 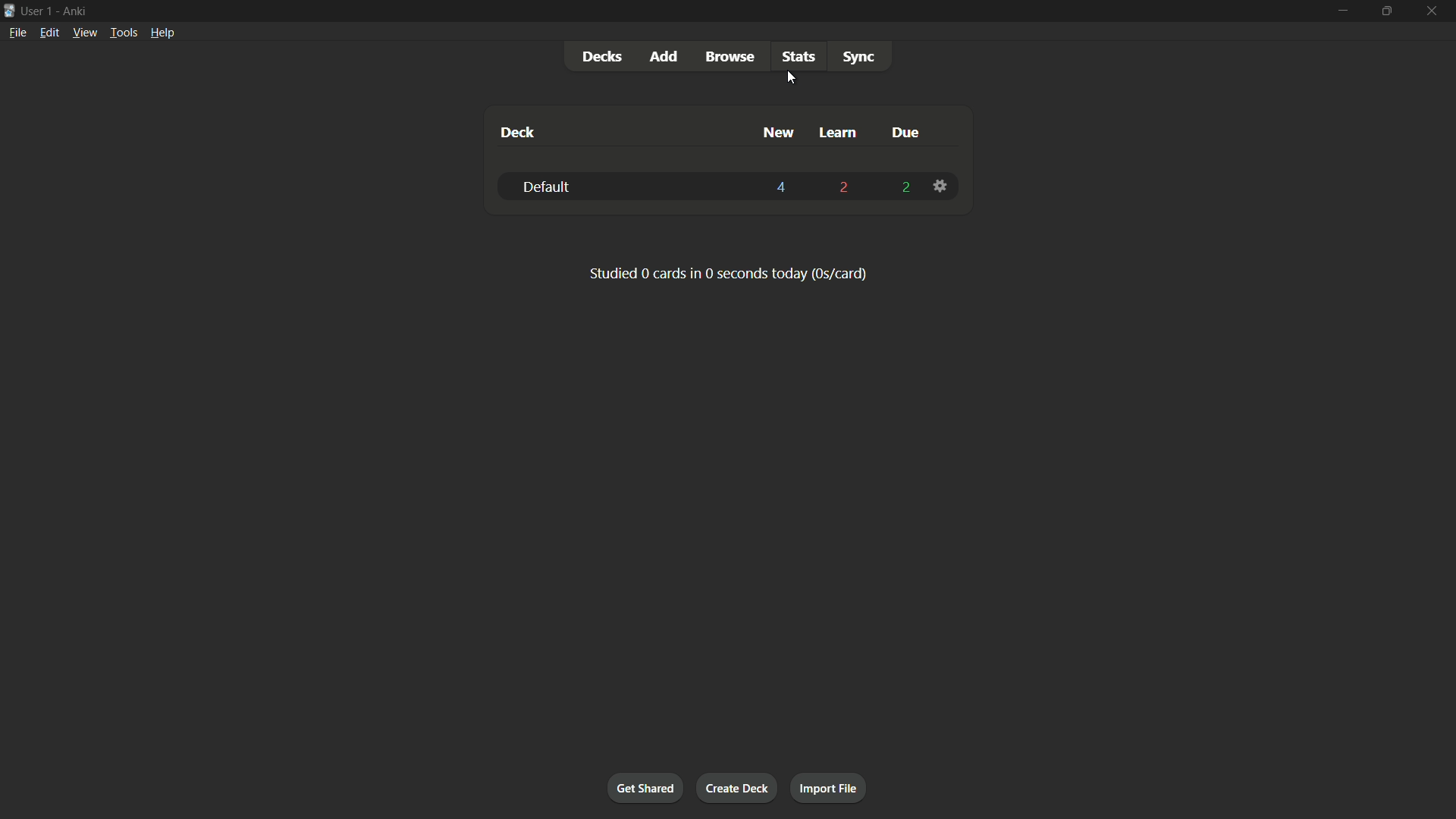 I want to click on file menu, so click(x=17, y=33).